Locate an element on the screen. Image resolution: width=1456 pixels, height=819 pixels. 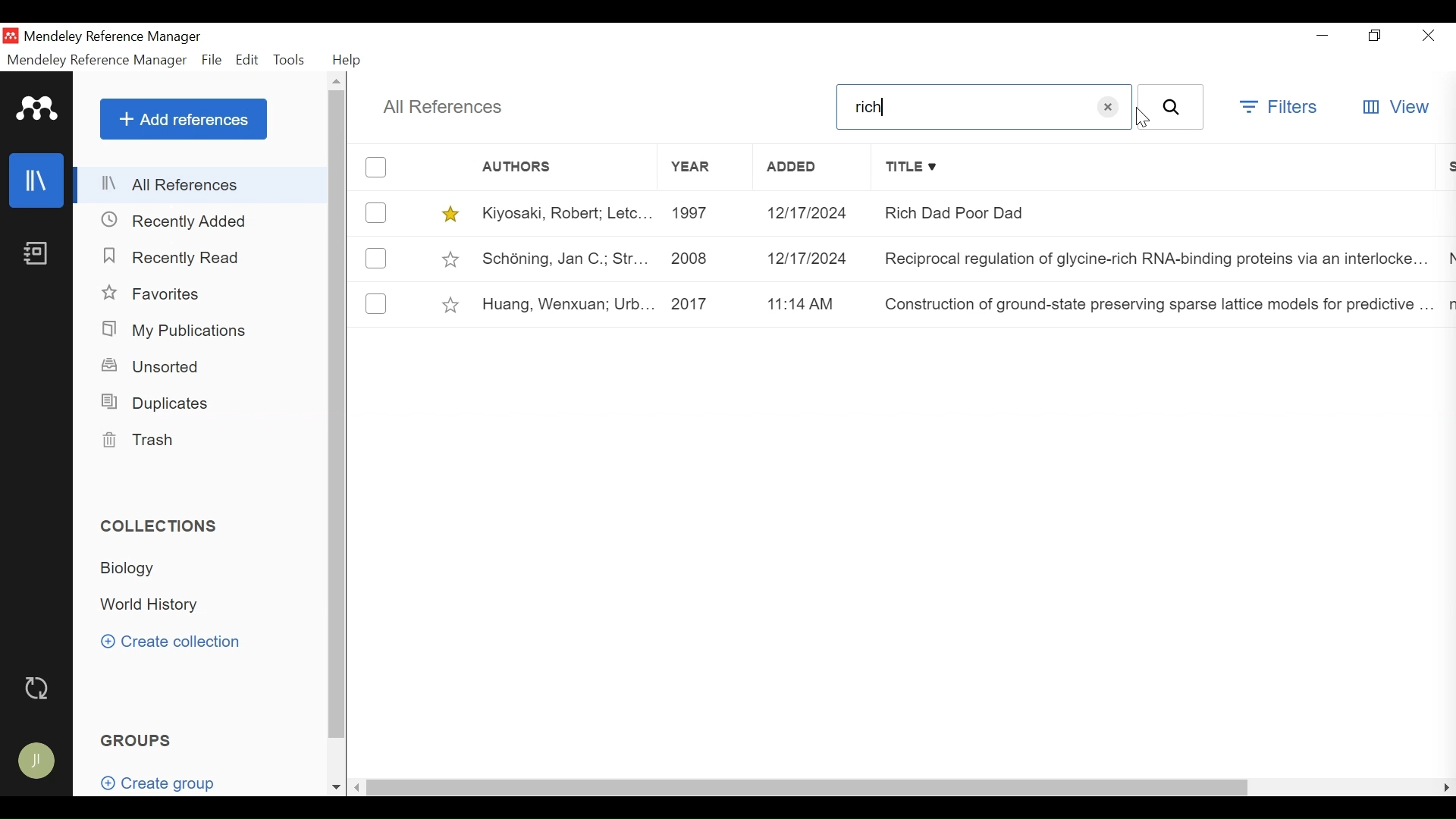
(un)select is located at coordinates (377, 258).